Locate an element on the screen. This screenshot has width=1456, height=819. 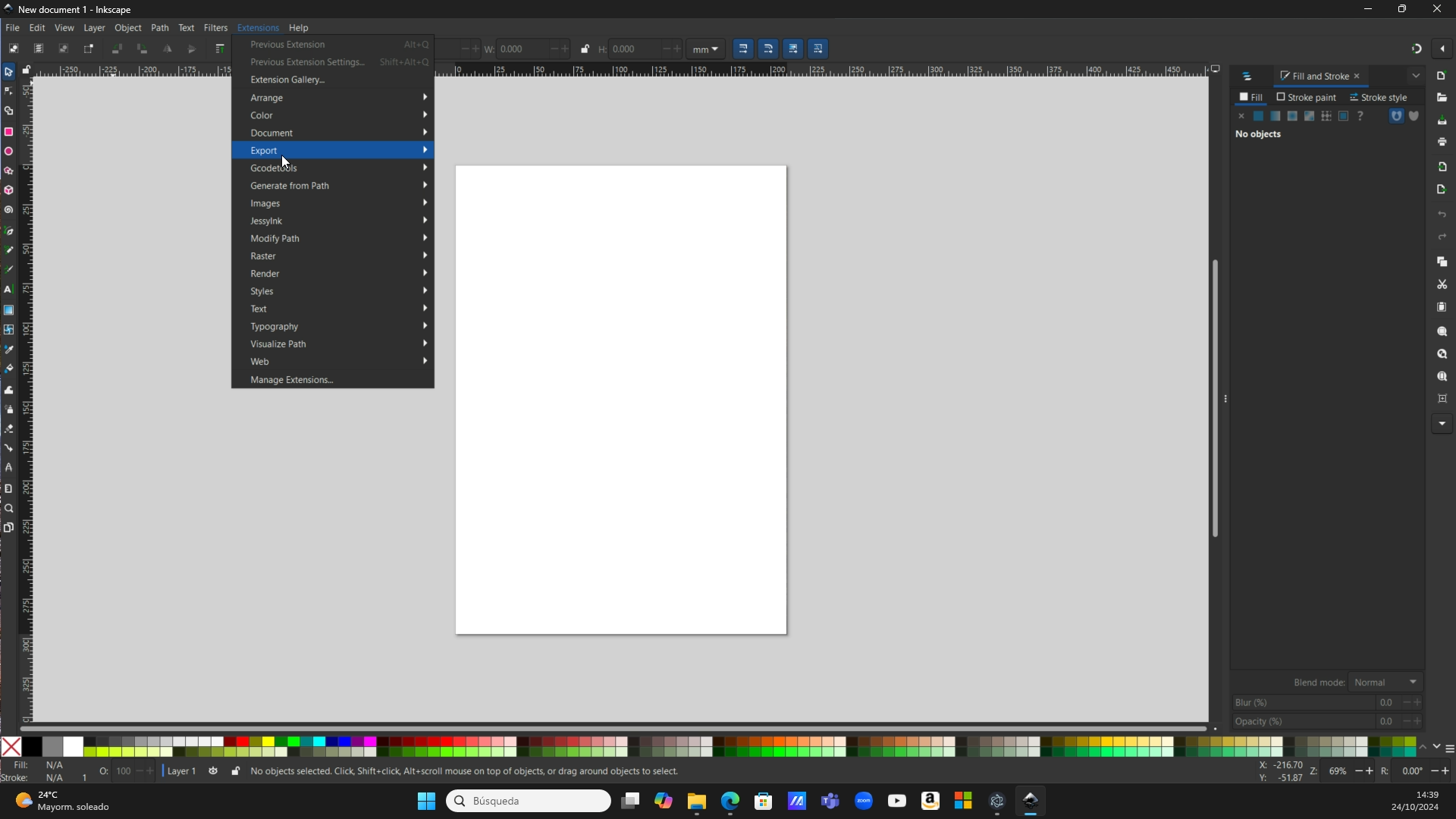
Path is located at coordinates (160, 29).